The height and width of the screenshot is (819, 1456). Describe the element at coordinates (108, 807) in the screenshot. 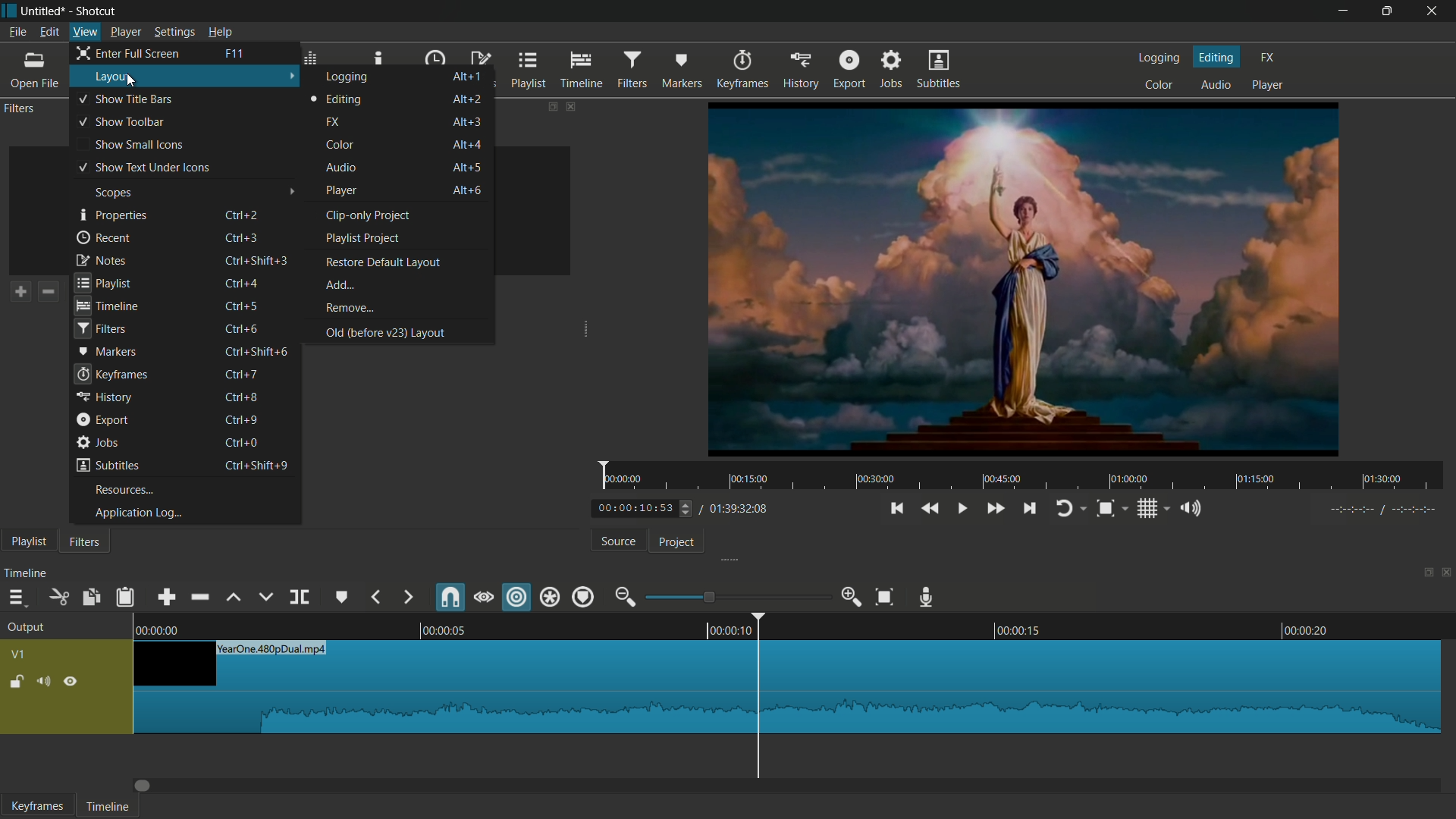

I see `timeline` at that location.